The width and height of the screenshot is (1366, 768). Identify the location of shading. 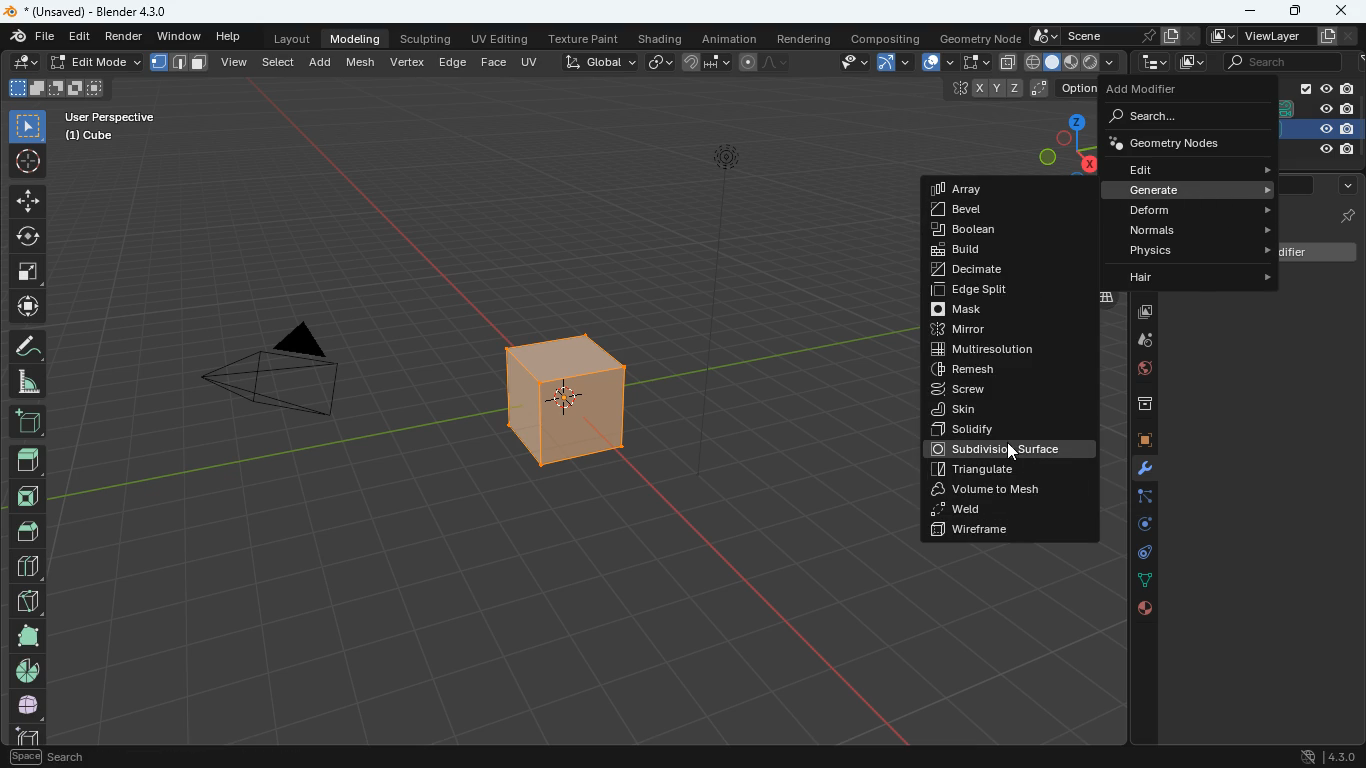
(660, 39).